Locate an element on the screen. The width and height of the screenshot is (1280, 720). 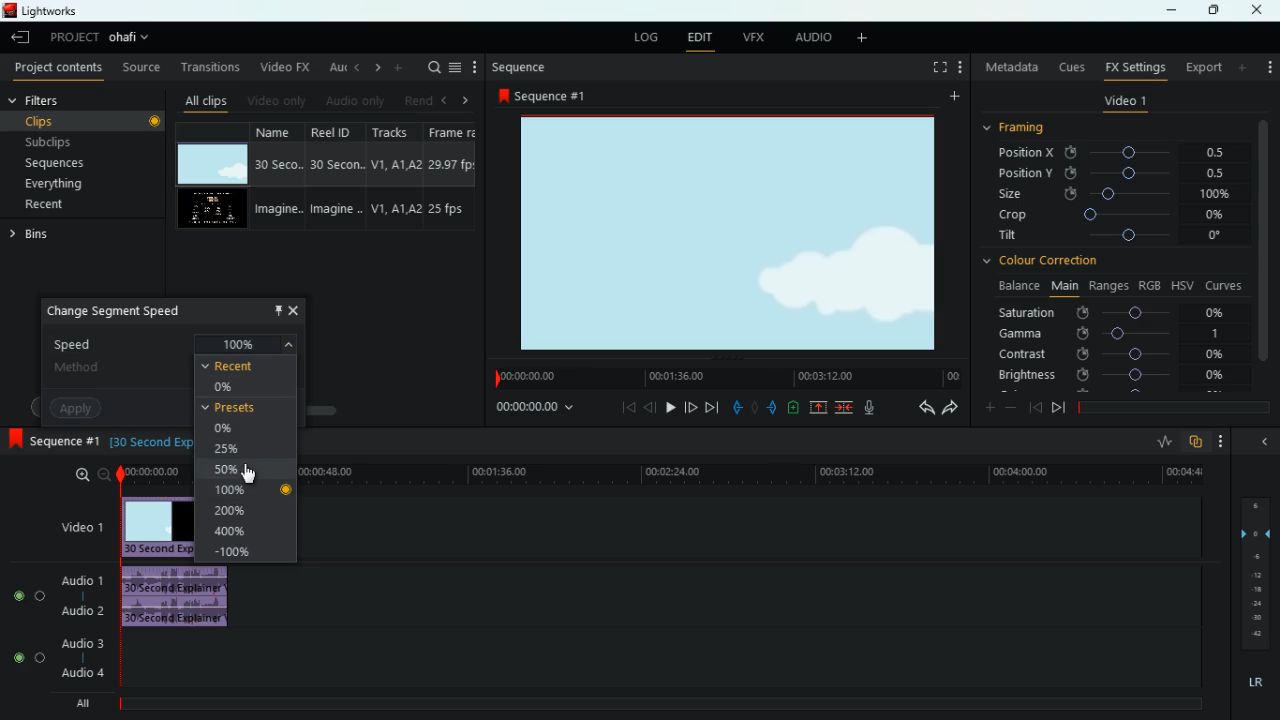
 is located at coordinates (287, 489).